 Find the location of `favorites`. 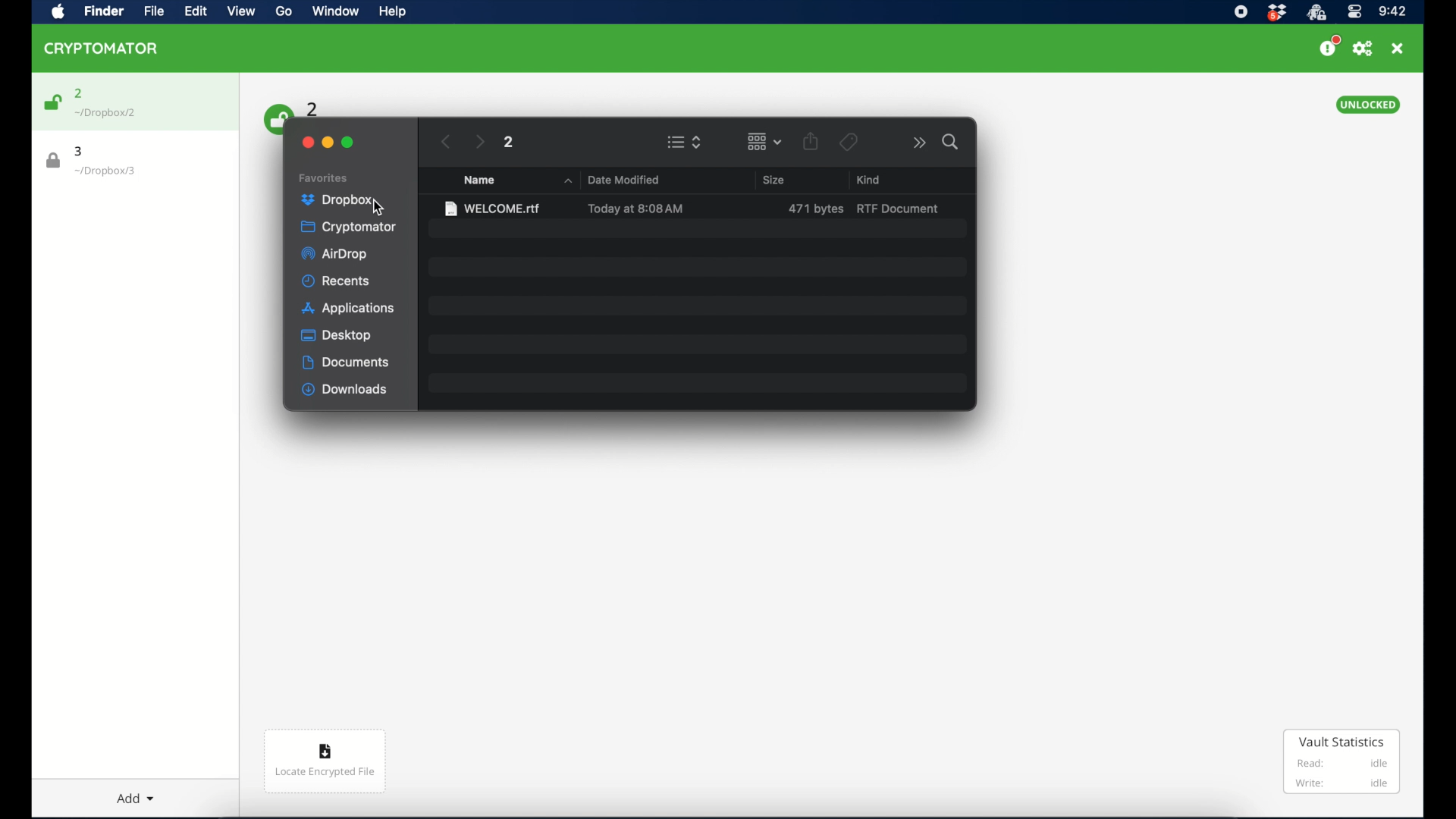

favorites is located at coordinates (324, 178).